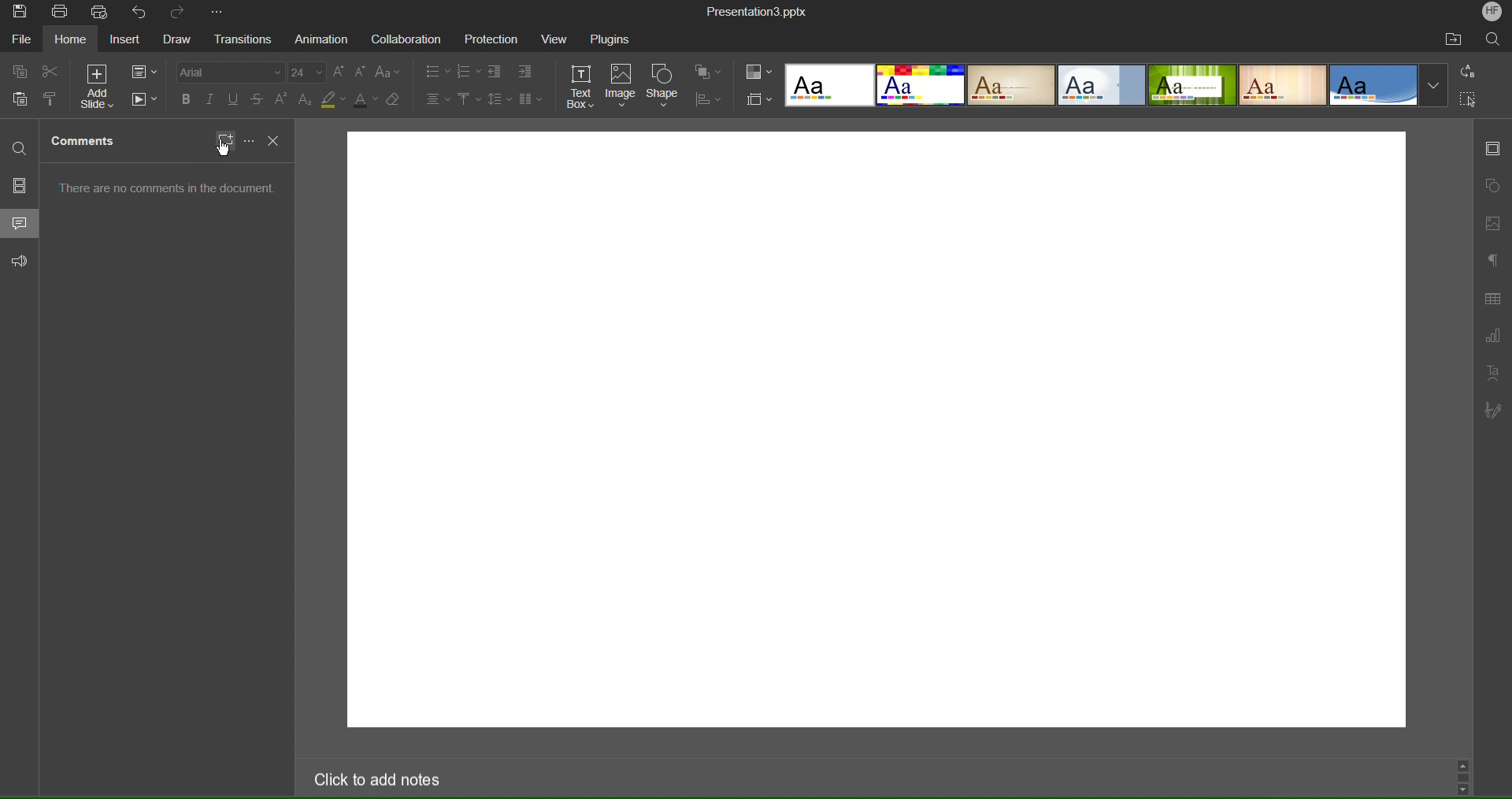 The image size is (1512, 799). Describe the element at coordinates (62, 11) in the screenshot. I see `Print` at that location.